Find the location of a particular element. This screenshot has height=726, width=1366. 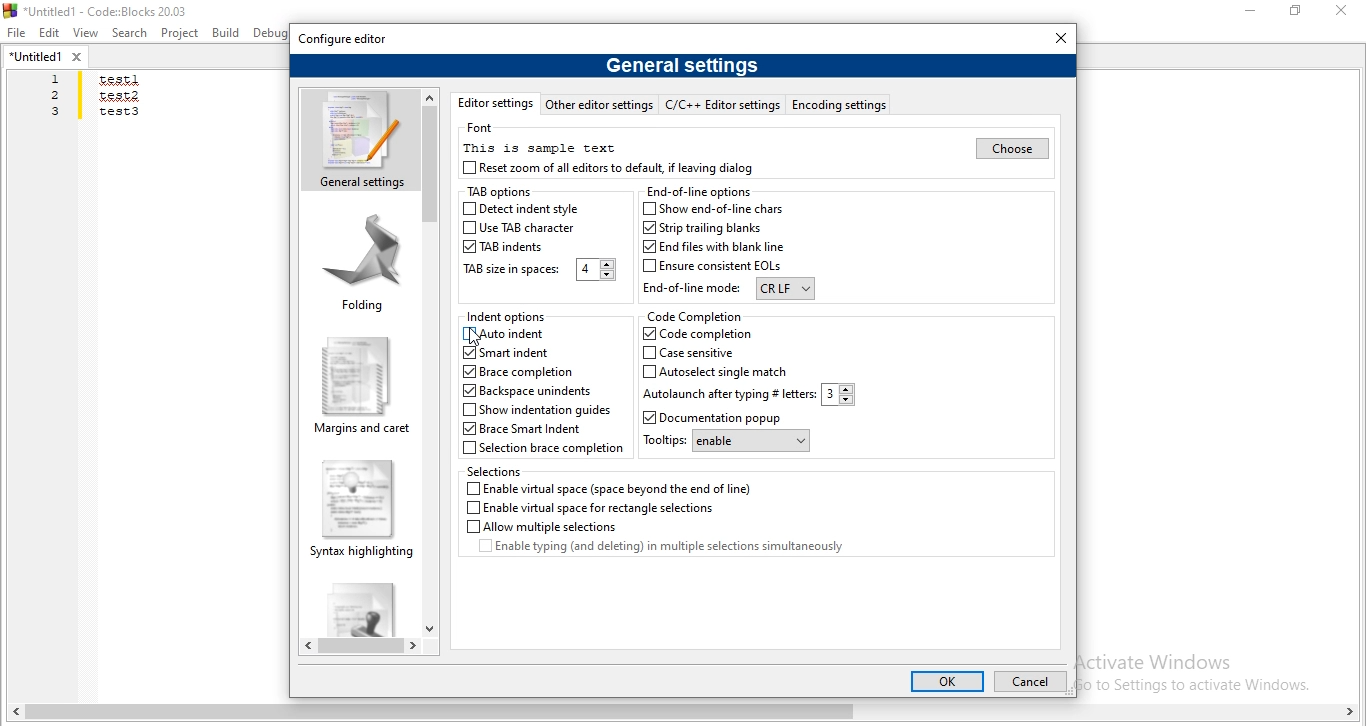

View  is located at coordinates (86, 32).